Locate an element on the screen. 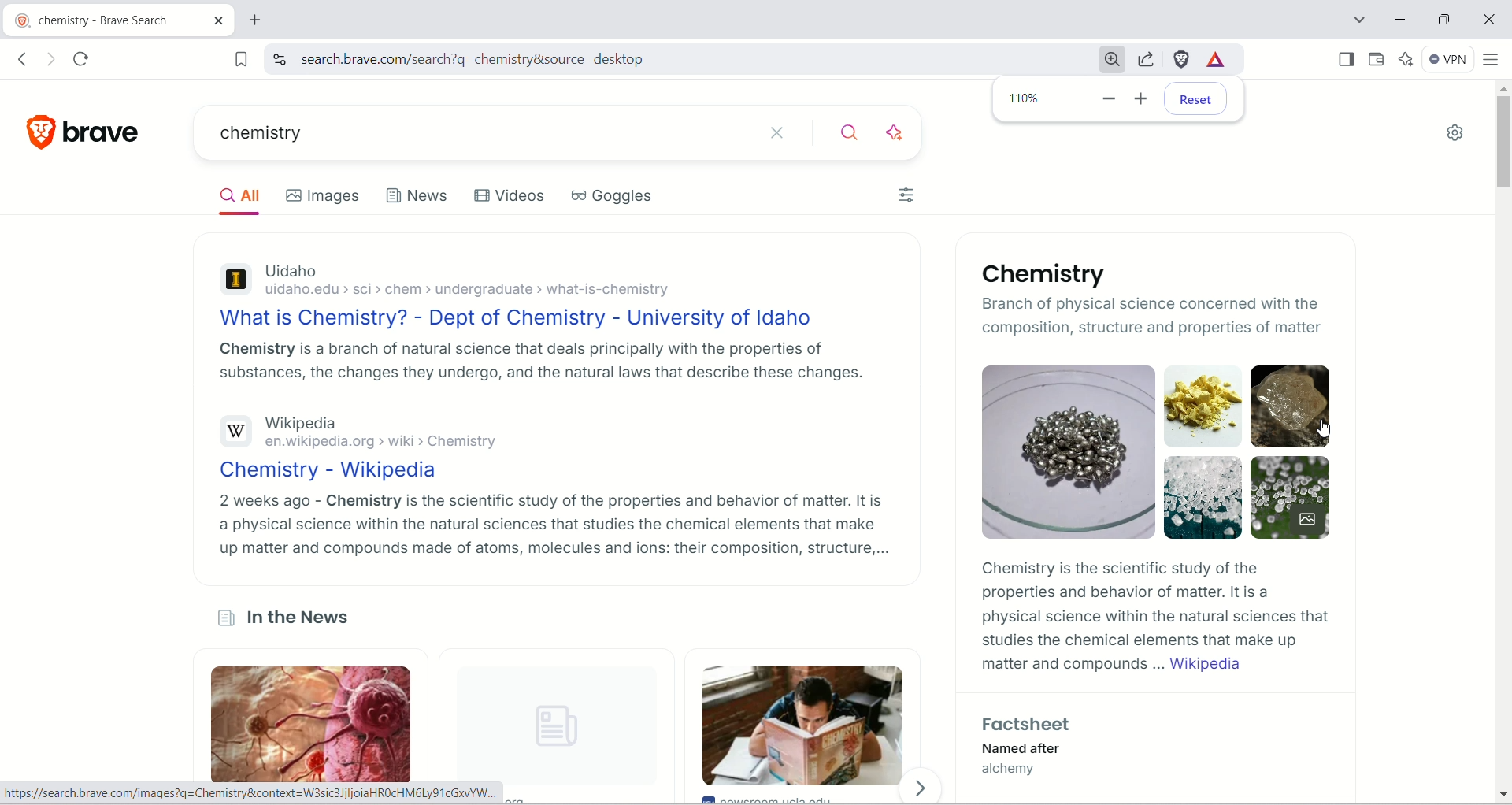 The width and height of the screenshot is (1512, 805). Chemistry is the scientific study of the
properties and behavior of matter. It is a
physical science within the natural sciences that
studies the chemical elements that make up is located at coordinates (1156, 604).